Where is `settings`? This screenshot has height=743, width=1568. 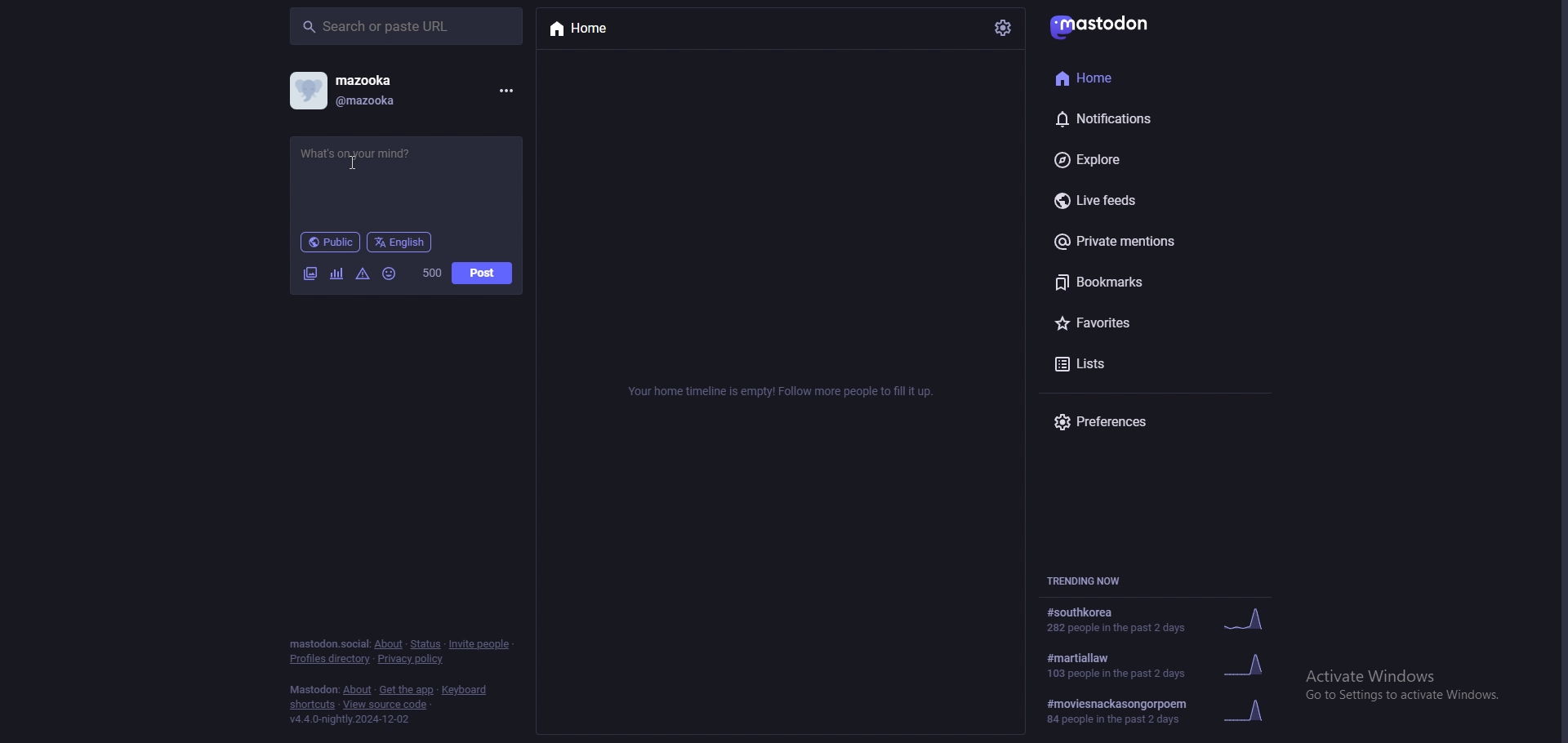
settings is located at coordinates (1003, 27).